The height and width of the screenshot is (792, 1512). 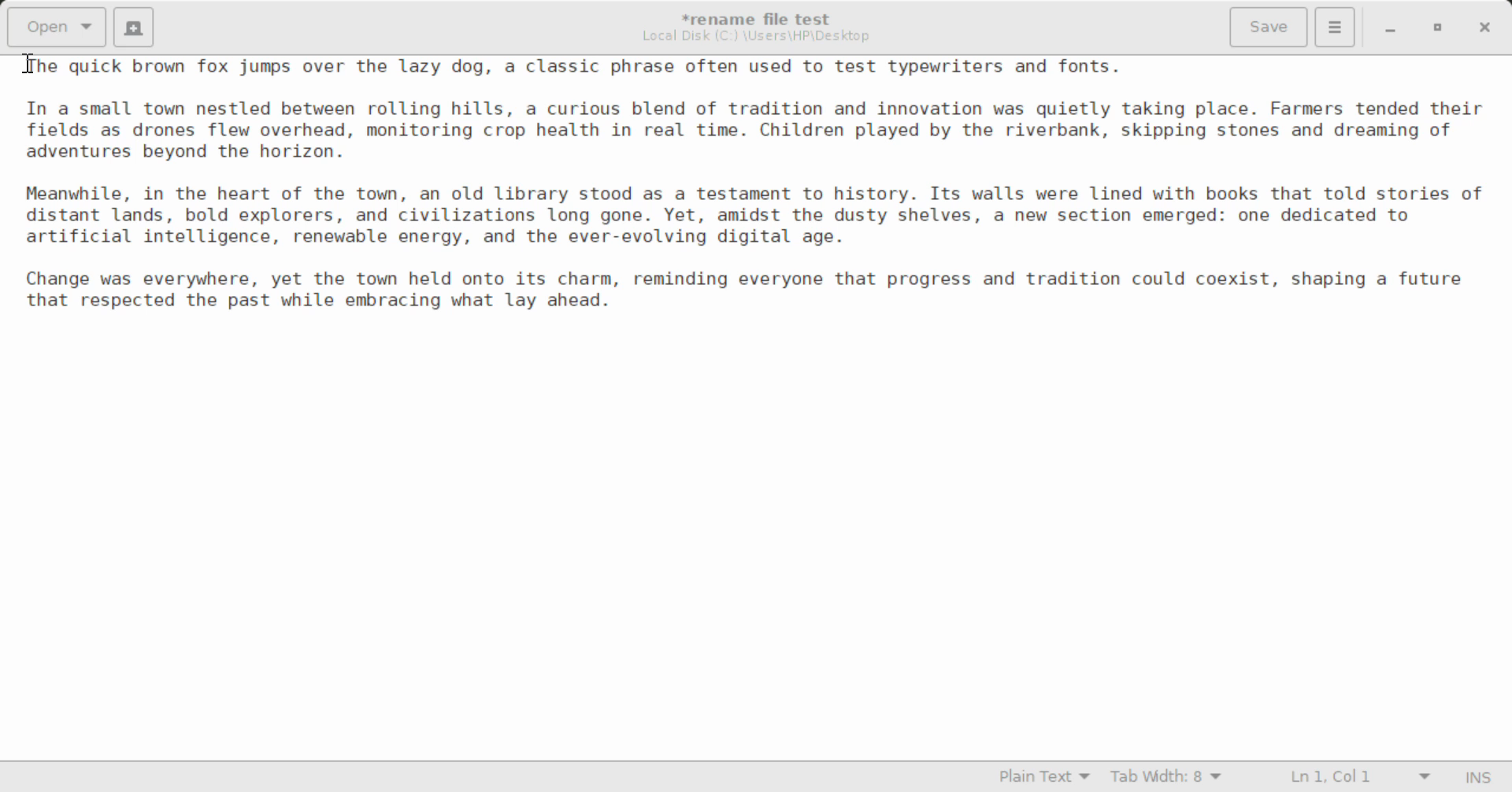 What do you see at coordinates (758, 199) in the screenshot?
I see `The quick brown fox jumps over the lazy dog, a classic phrase often used to test typewriters and fonts.In a small town nestled between rolling hills, a curious blend of tradition and innovation was quietly taking place. Farmers tended theirfields as drones flew overhead, monitoring crop health in real time. Children played by the riverbank, skipping stones and dreaming ofadventures beyond the horizon.Meanwhile, in the heart of the town, an old library stood as a testament to history. Its walls were lined with books that told stories ofdistant lands, bold explorers, and civilizations long gone. Yet, amidst the dusty shelves, a new section emerged: one dedicated toartificial intelligence, renewable energy, and the ever-evolving digital age.Change was everywhere, yet the town held onto its charm, reminding everyone that progress and tradition could coexist, shaping a futurethat respected the past while embracing what lay ahead.` at bounding box center [758, 199].